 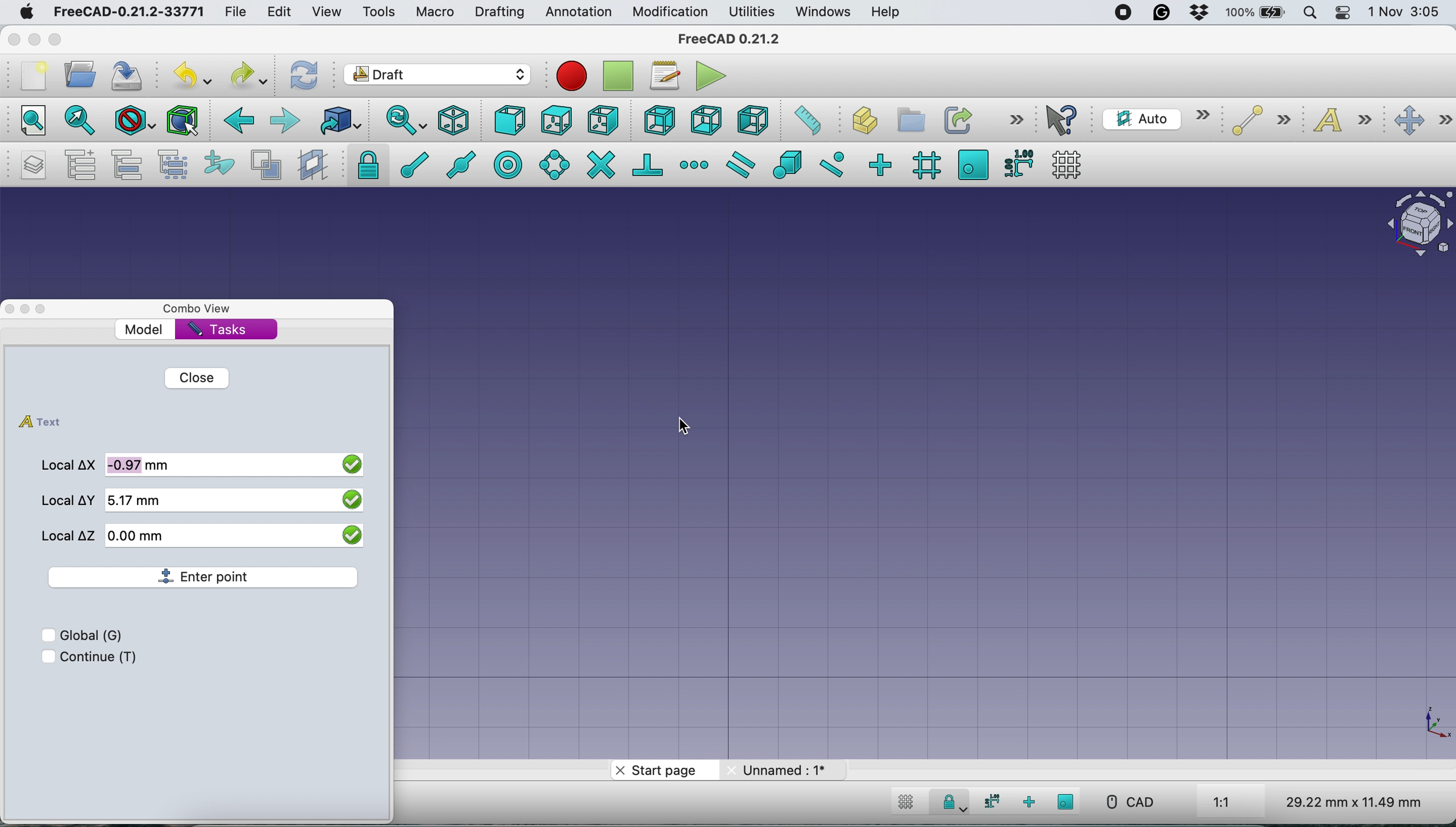 I want to click on create object, so click(x=856, y=120).